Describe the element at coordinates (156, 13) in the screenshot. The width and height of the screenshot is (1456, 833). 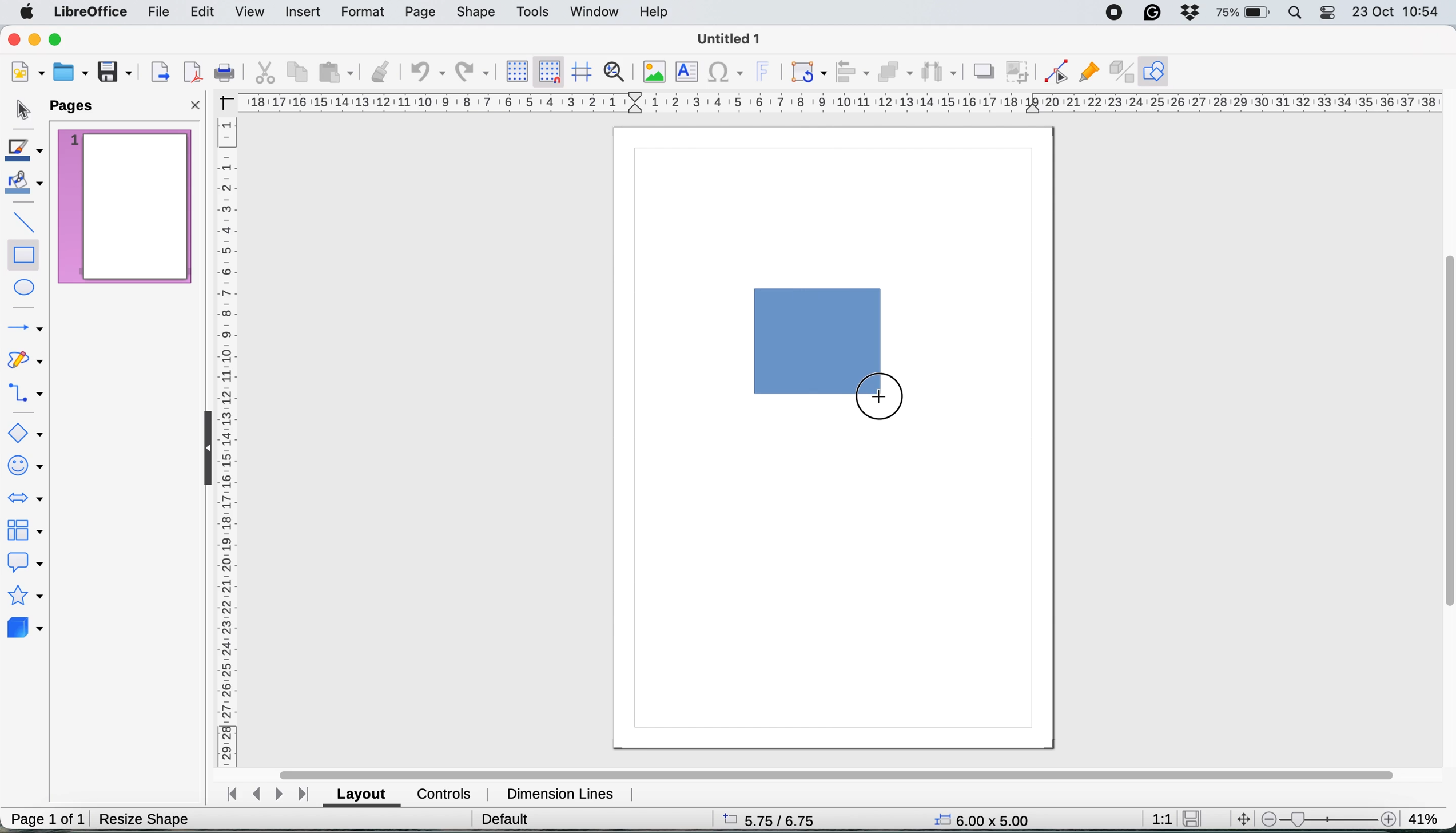
I see `file` at that location.